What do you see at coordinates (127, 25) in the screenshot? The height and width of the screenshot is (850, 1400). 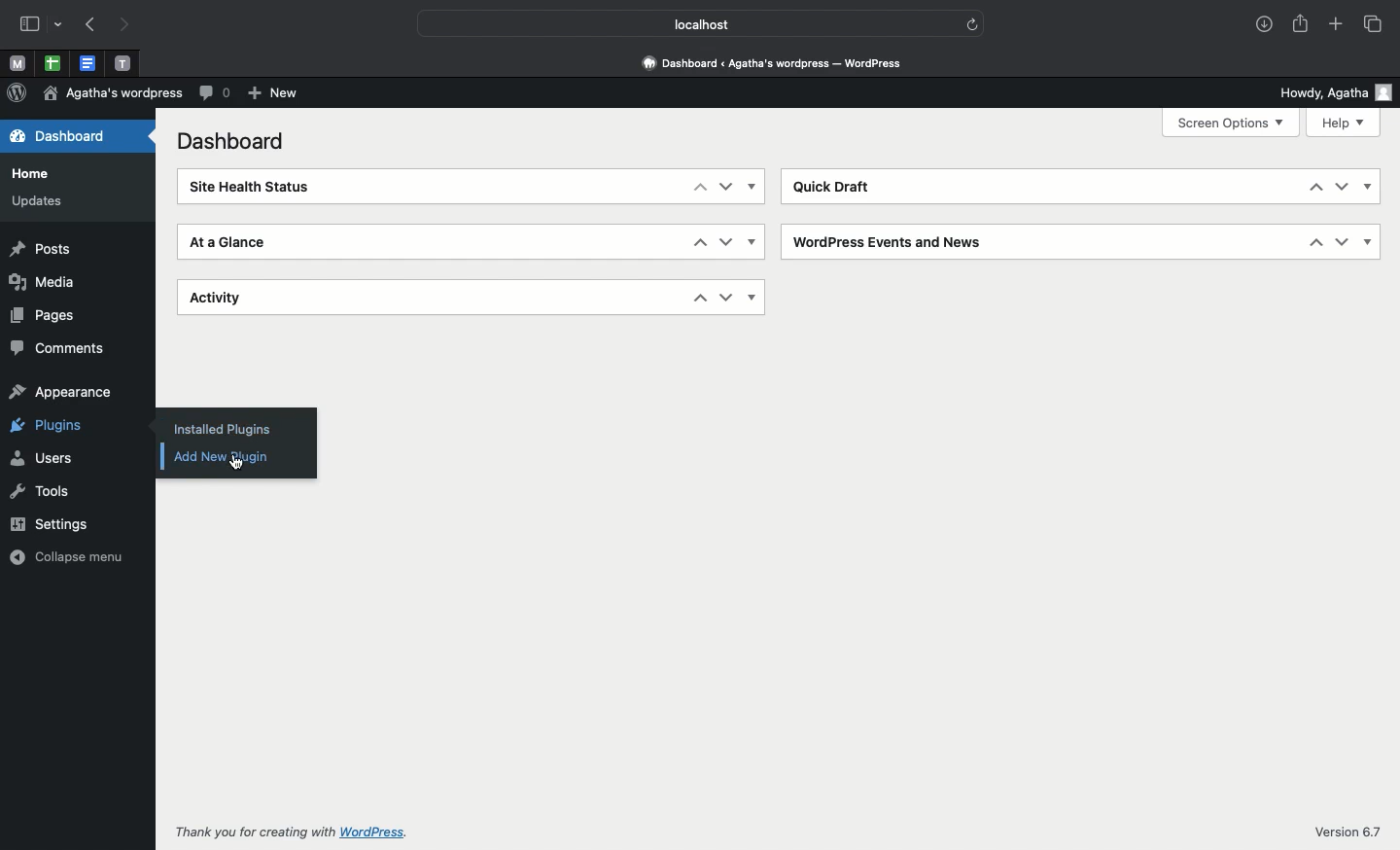 I see `Next page` at bounding box center [127, 25].